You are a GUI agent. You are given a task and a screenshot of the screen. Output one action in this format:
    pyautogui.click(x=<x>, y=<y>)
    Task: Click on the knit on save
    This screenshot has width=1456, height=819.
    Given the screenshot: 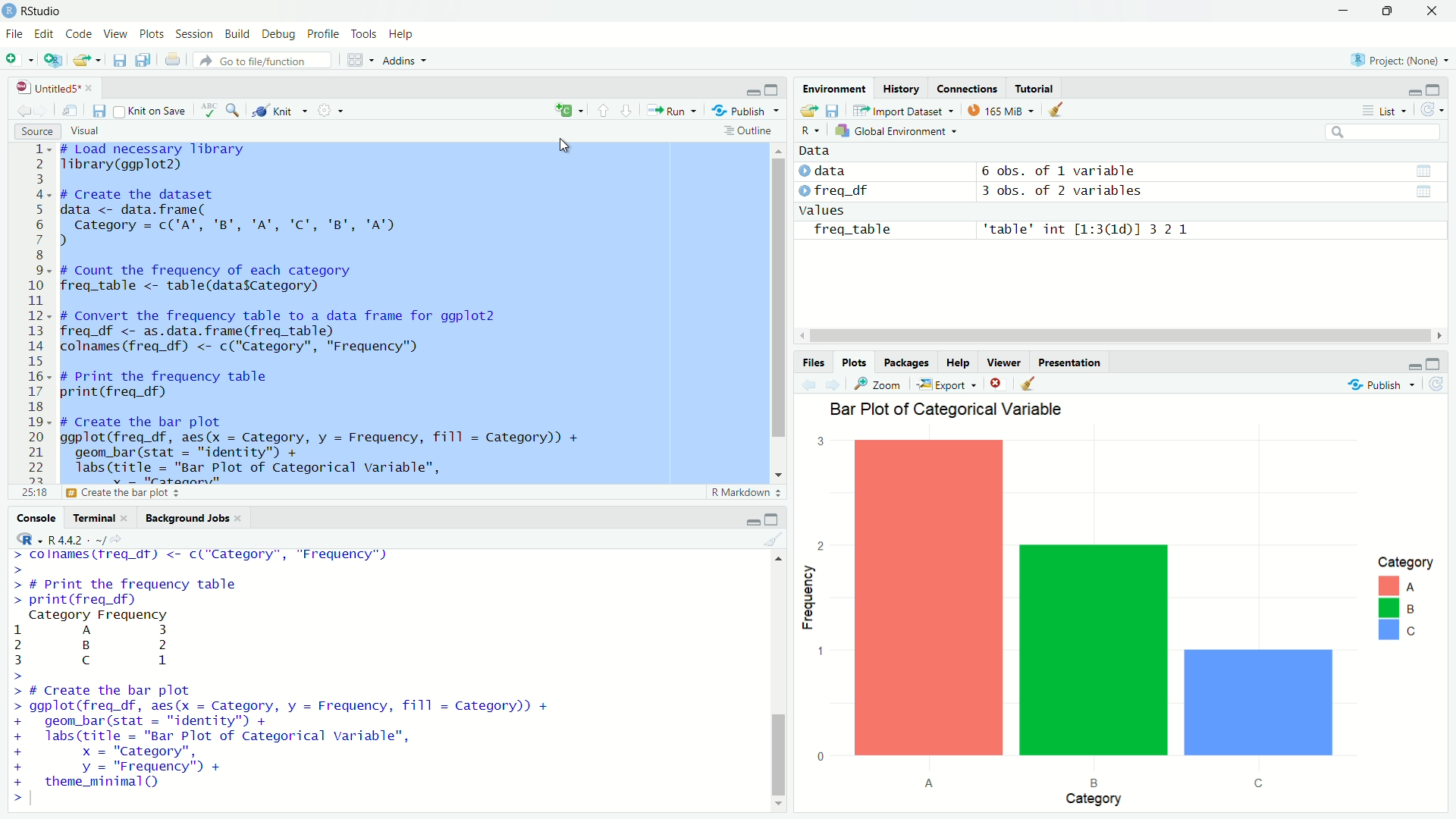 What is the action you would take?
    pyautogui.click(x=152, y=111)
    